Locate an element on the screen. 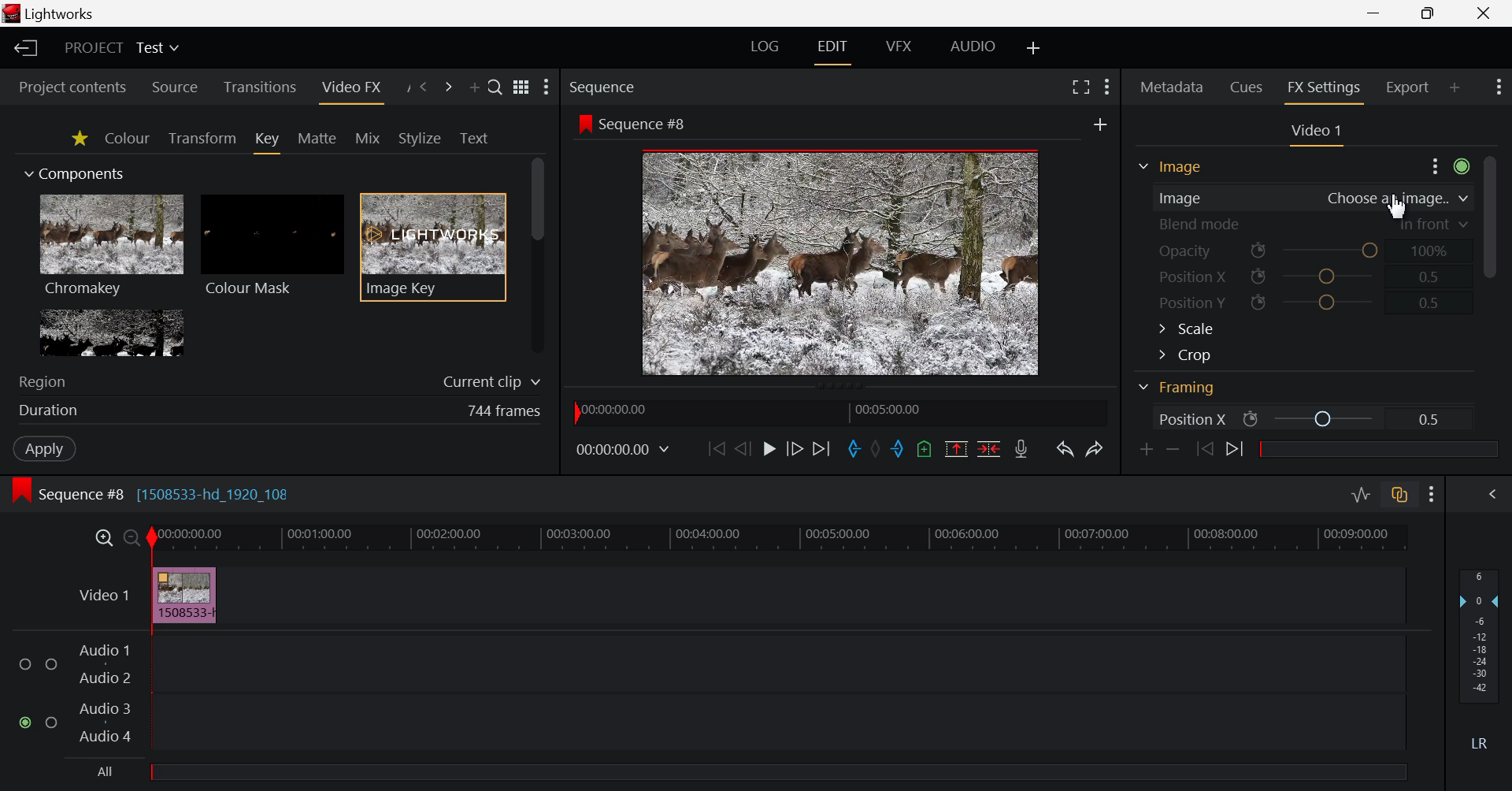 This screenshot has width=1512, height=791. Toggle audio levels editing is located at coordinates (1360, 496).